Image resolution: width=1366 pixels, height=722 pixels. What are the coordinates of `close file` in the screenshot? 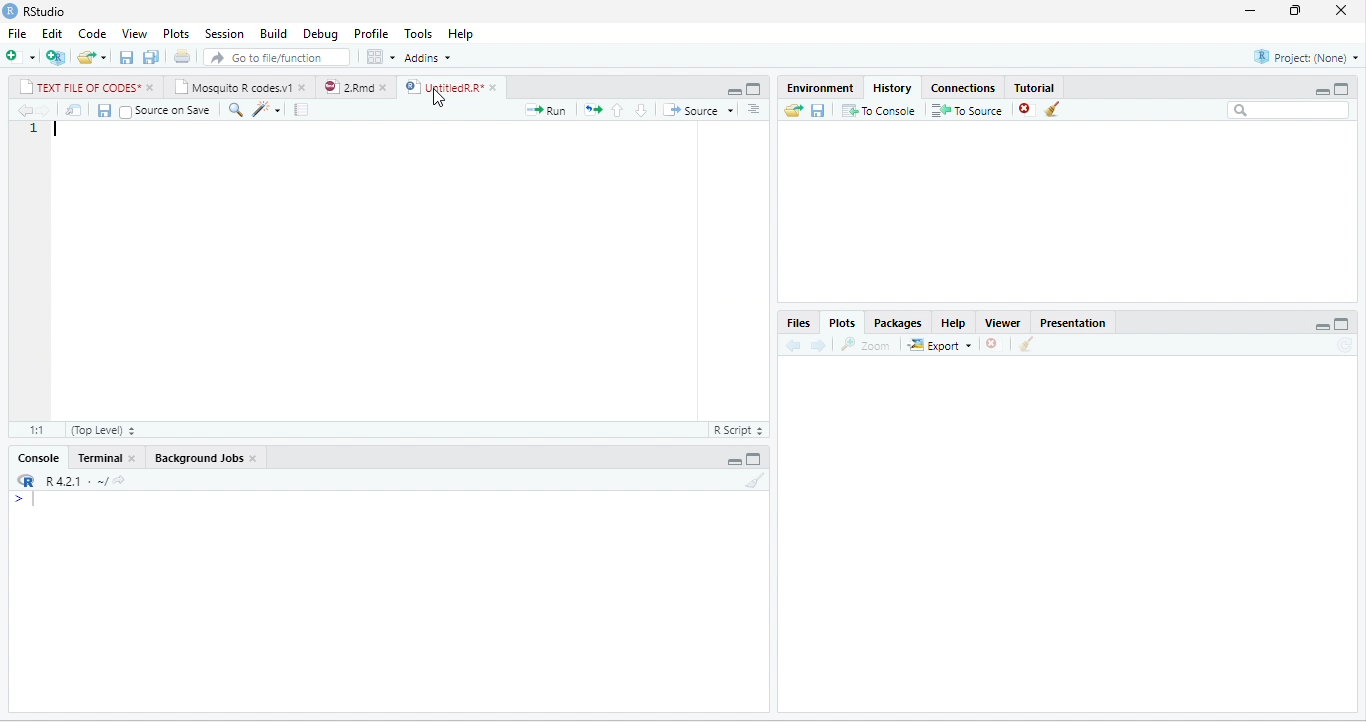 It's located at (994, 344).